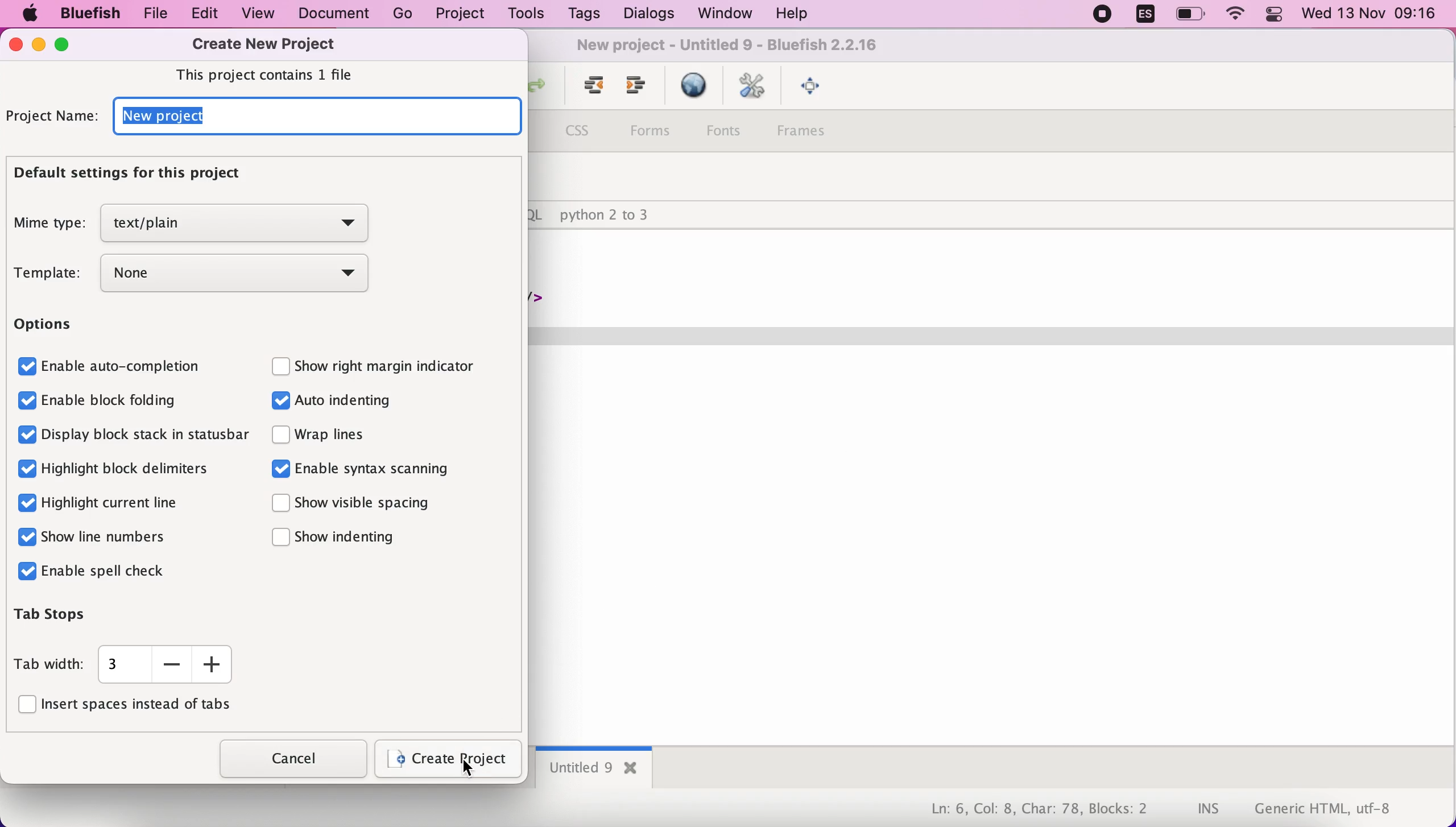 The width and height of the screenshot is (1456, 827). I want to click on template options, so click(241, 278).